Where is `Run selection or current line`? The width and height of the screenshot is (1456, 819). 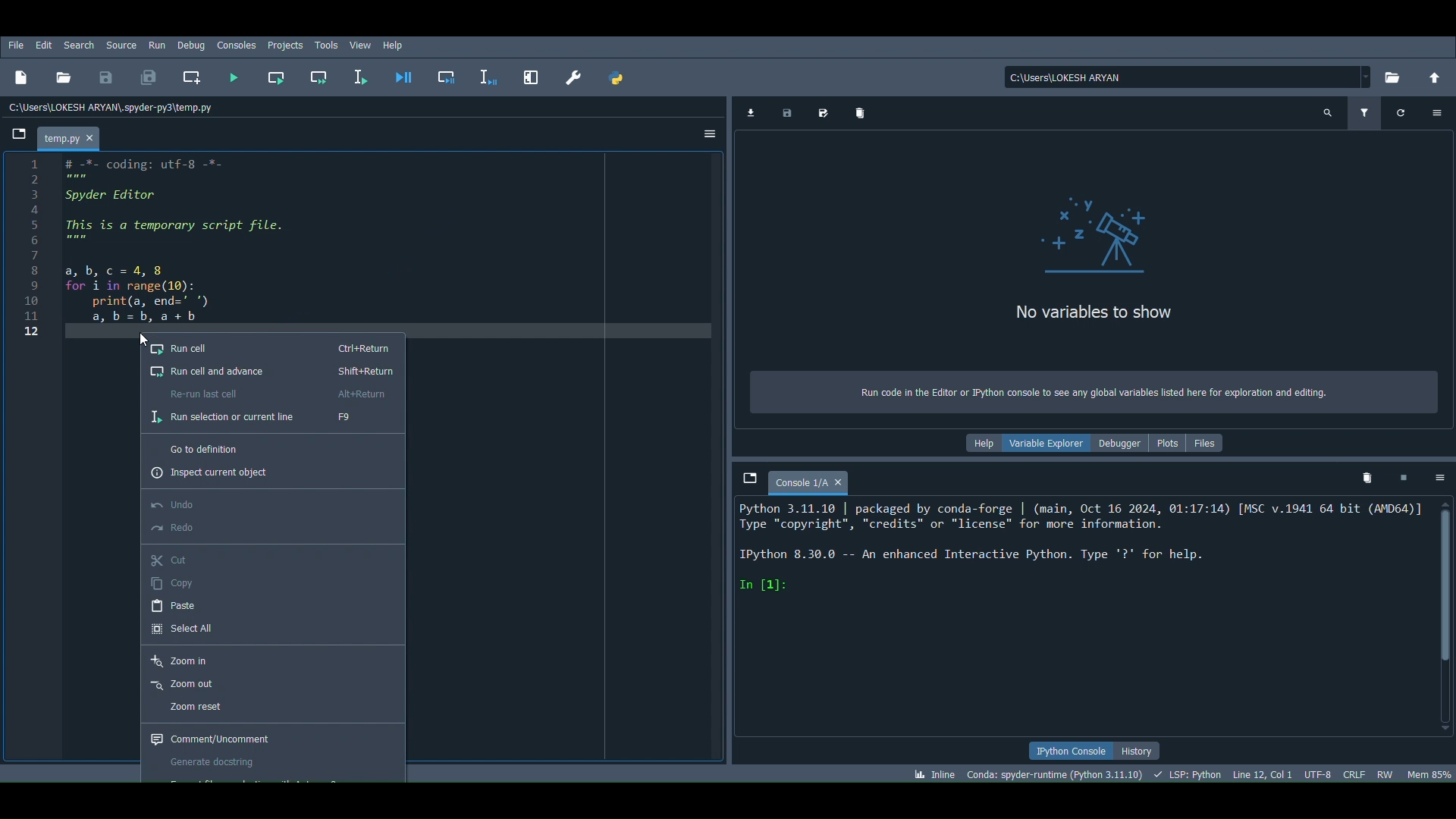
Run selection or current line is located at coordinates (259, 416).